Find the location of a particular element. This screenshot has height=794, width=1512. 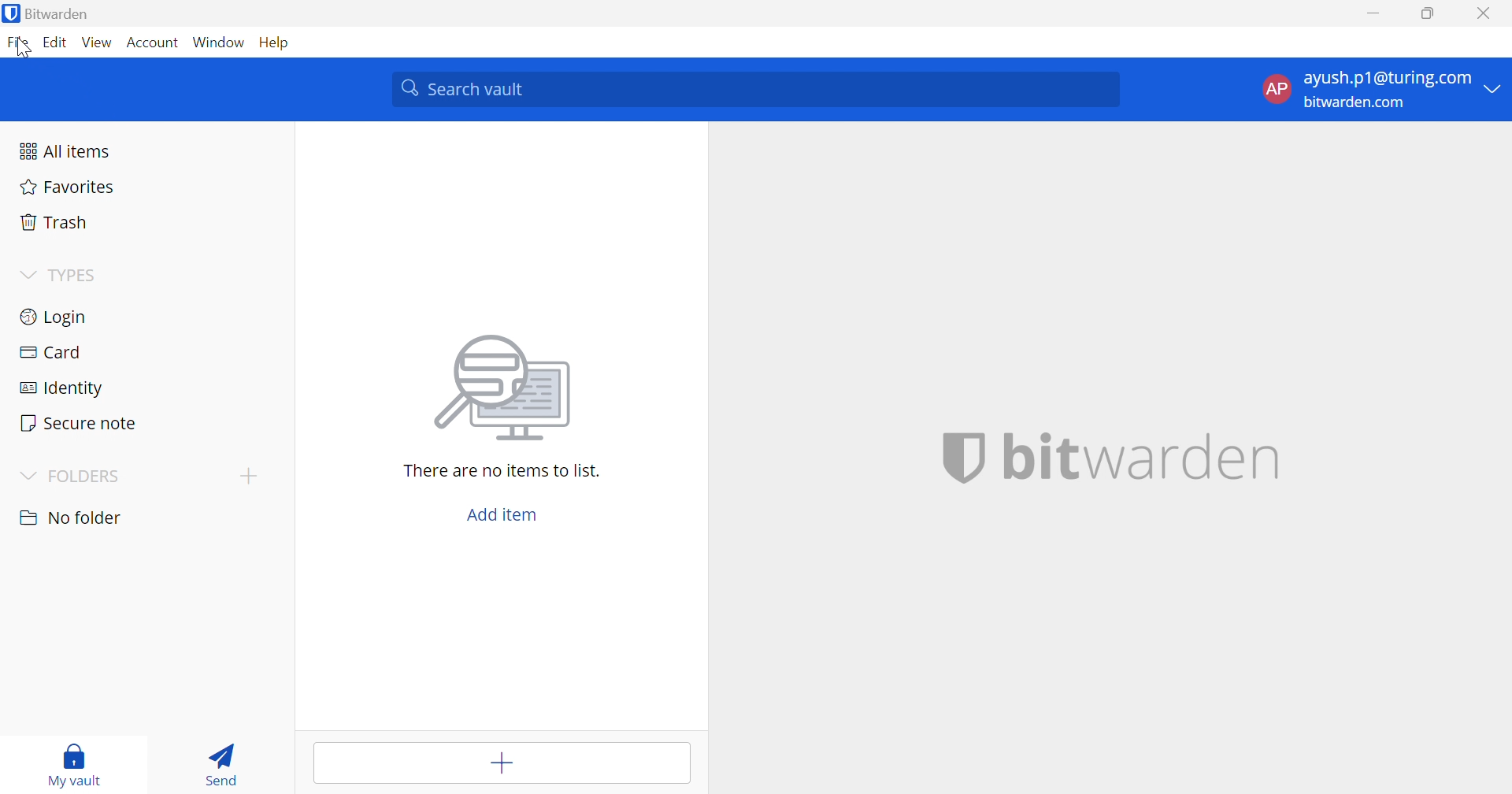

create folder is located at coordinates (247, 475).